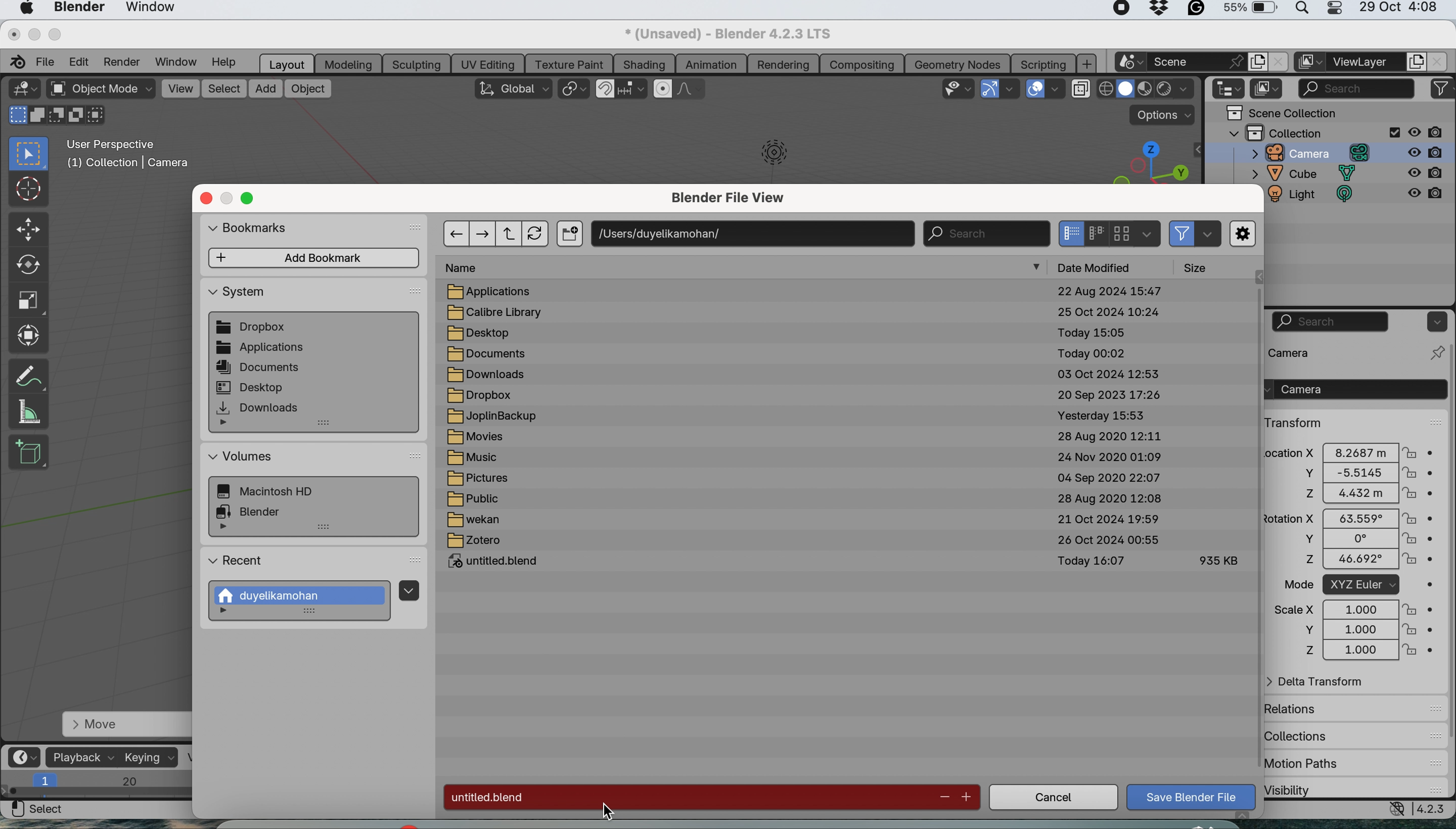 The height and width of the screenshot is (829, 1456). What do you see at coordinates (491, 63) in the screenshot?
I see `uv editing` at bounding box center [491, 63].